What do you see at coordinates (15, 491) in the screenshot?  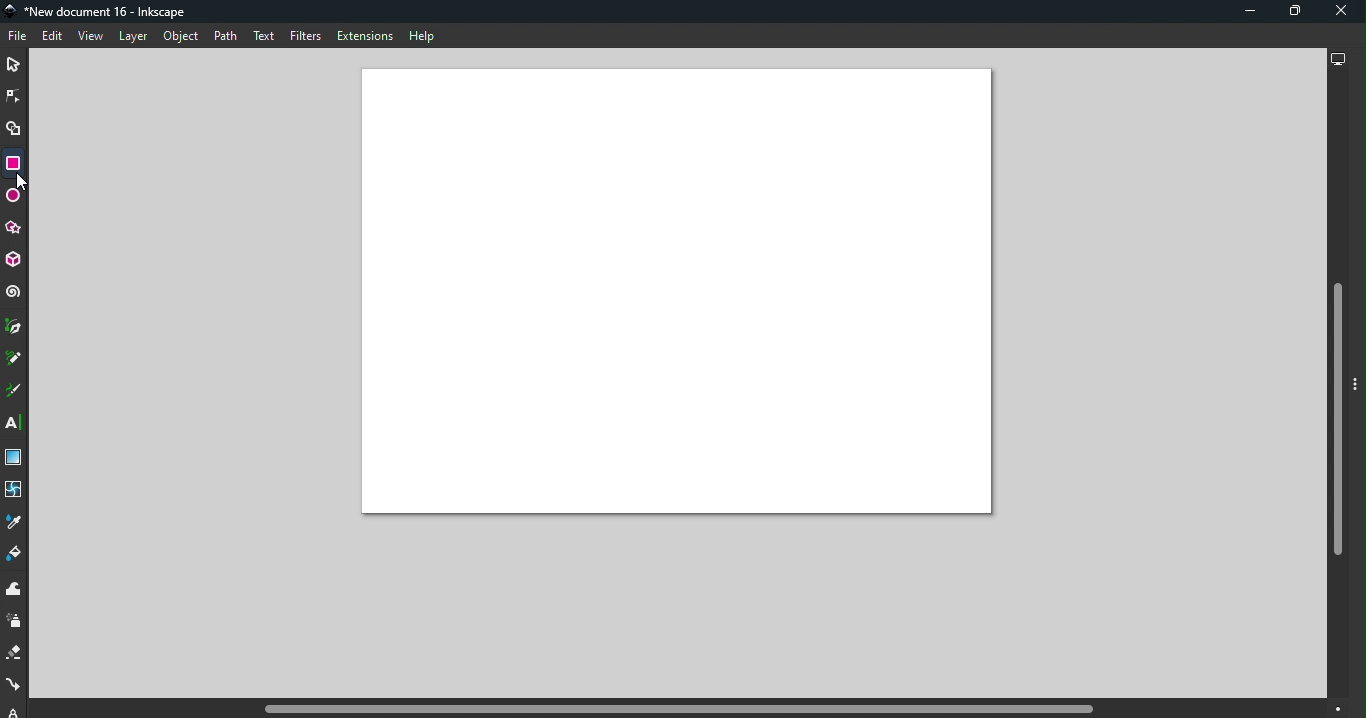 I see `Mesh tool` at bounding box center [15, 491].